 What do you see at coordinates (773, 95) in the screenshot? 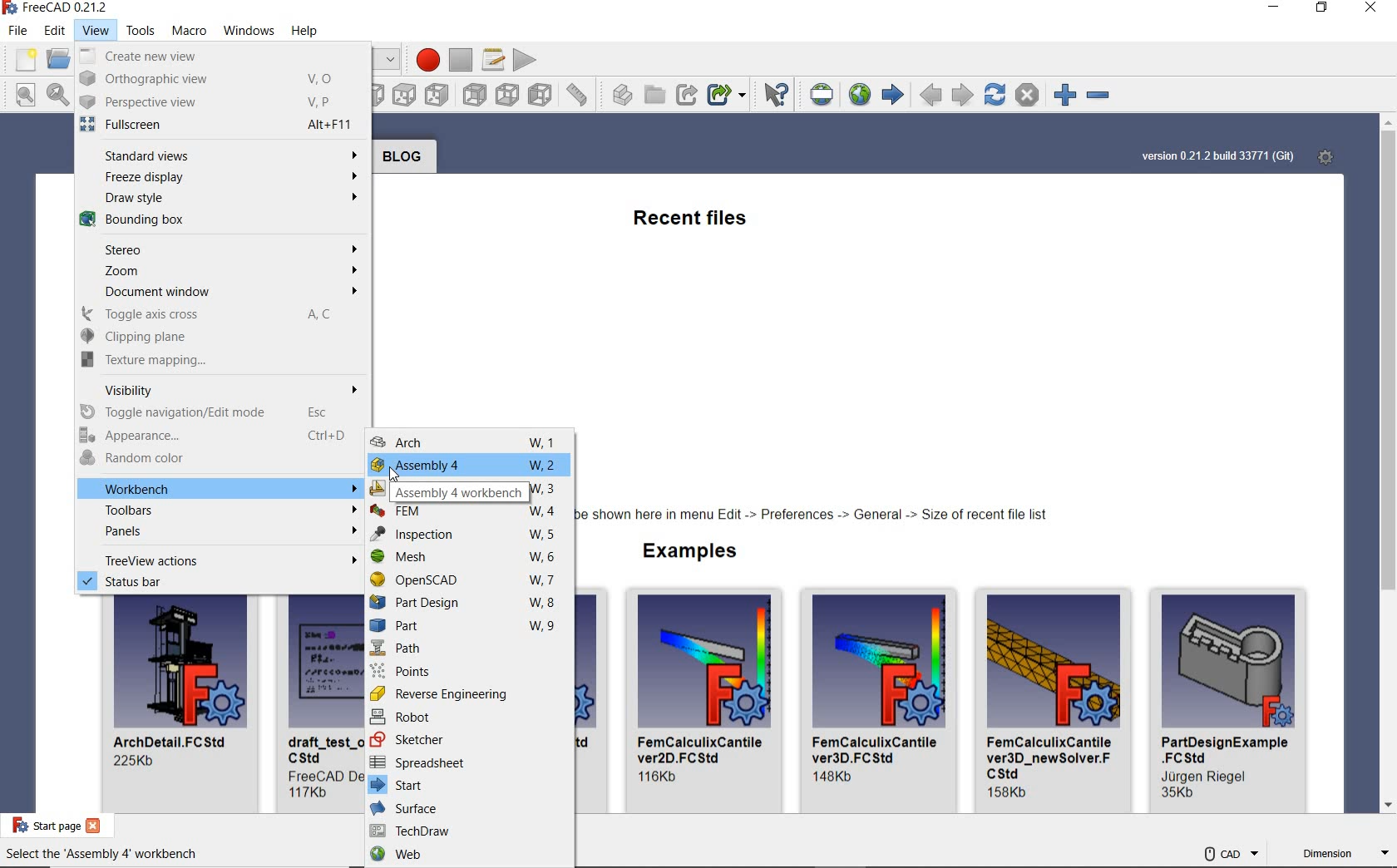
I see `WHAT'S THIS` at bounding box center [773, 95].